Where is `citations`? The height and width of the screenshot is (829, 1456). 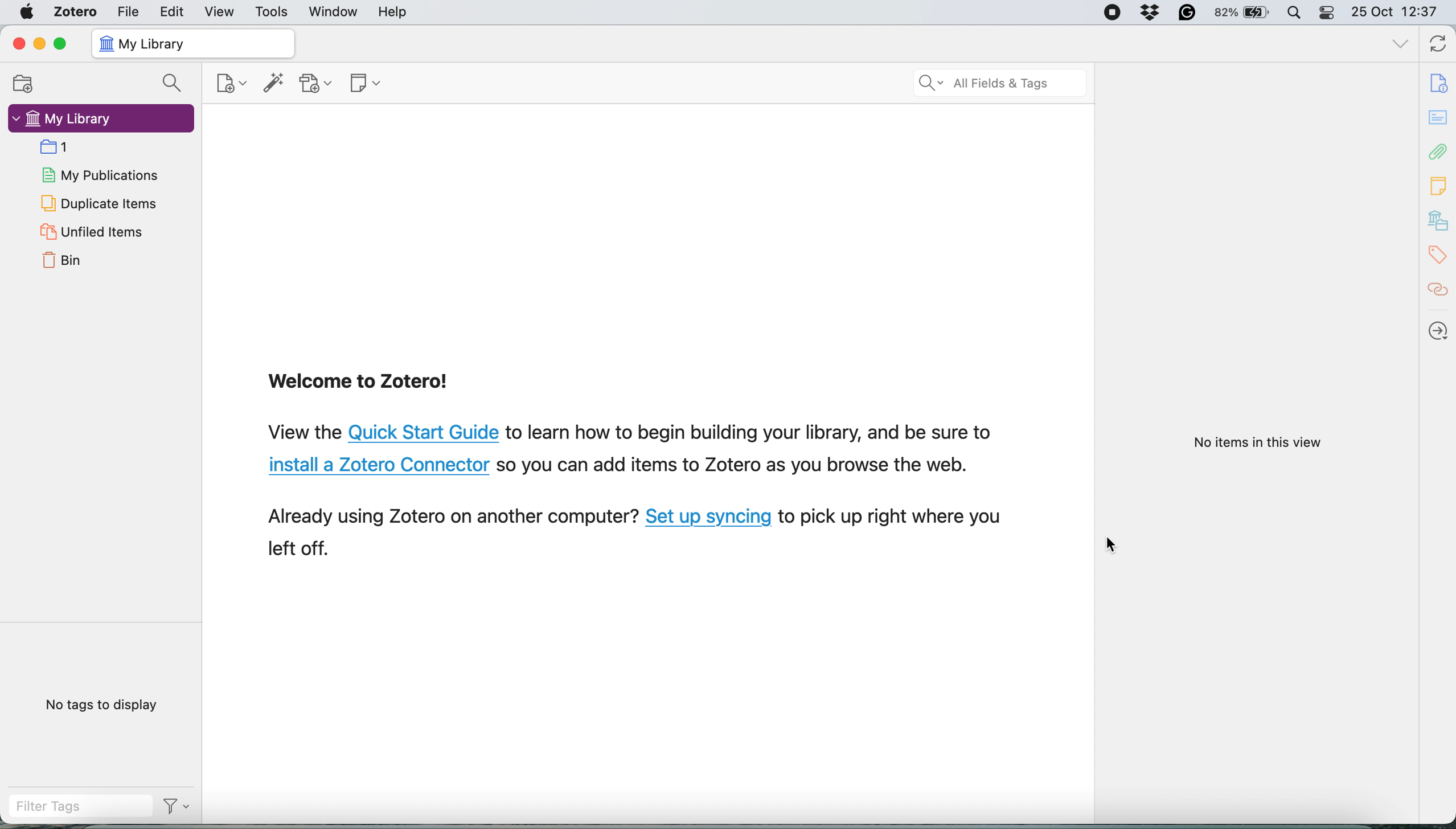
citations is located at coordinates (1441, 292).